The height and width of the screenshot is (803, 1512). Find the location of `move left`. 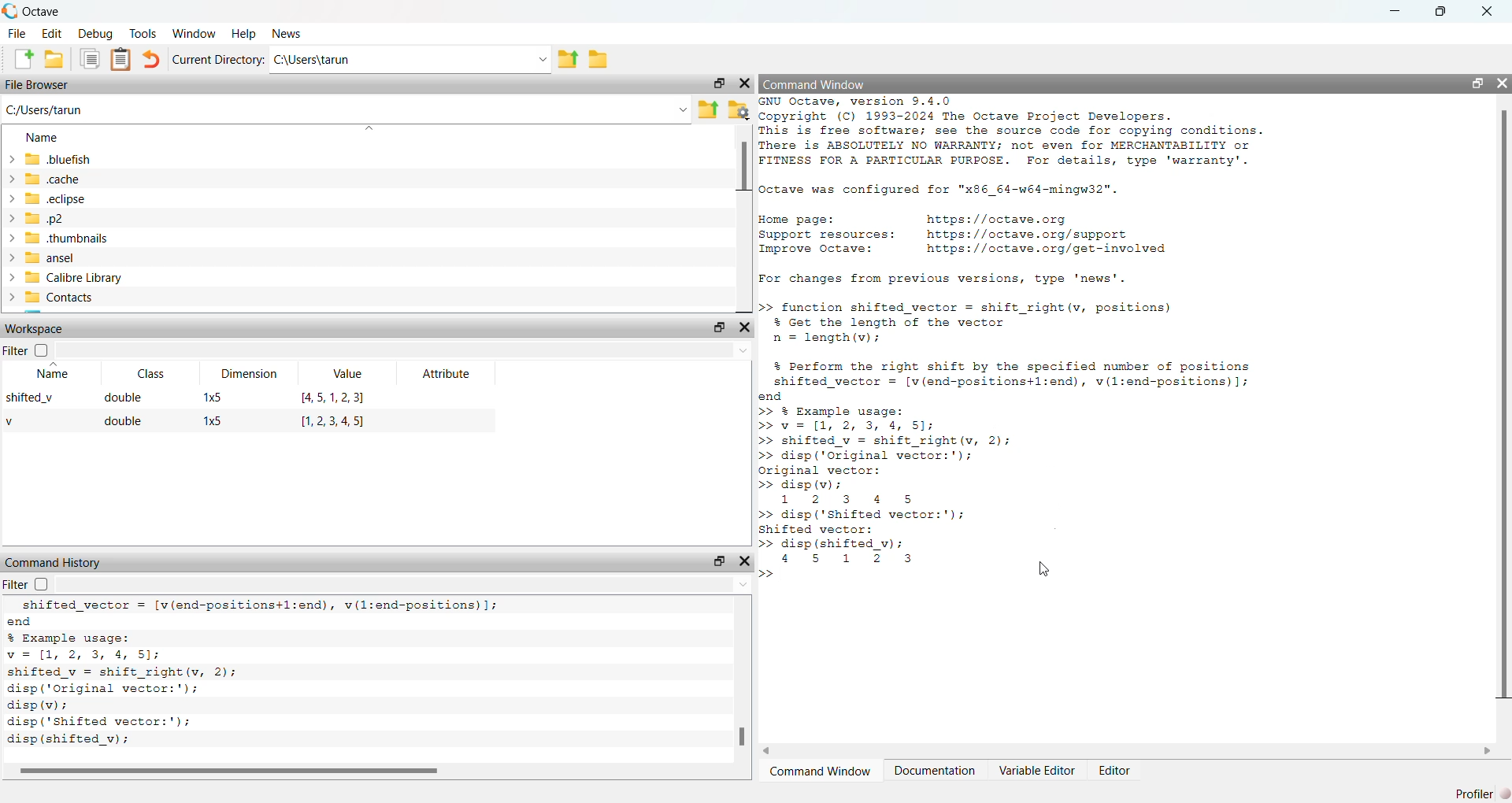

move left is located at coordinates (775, 749).